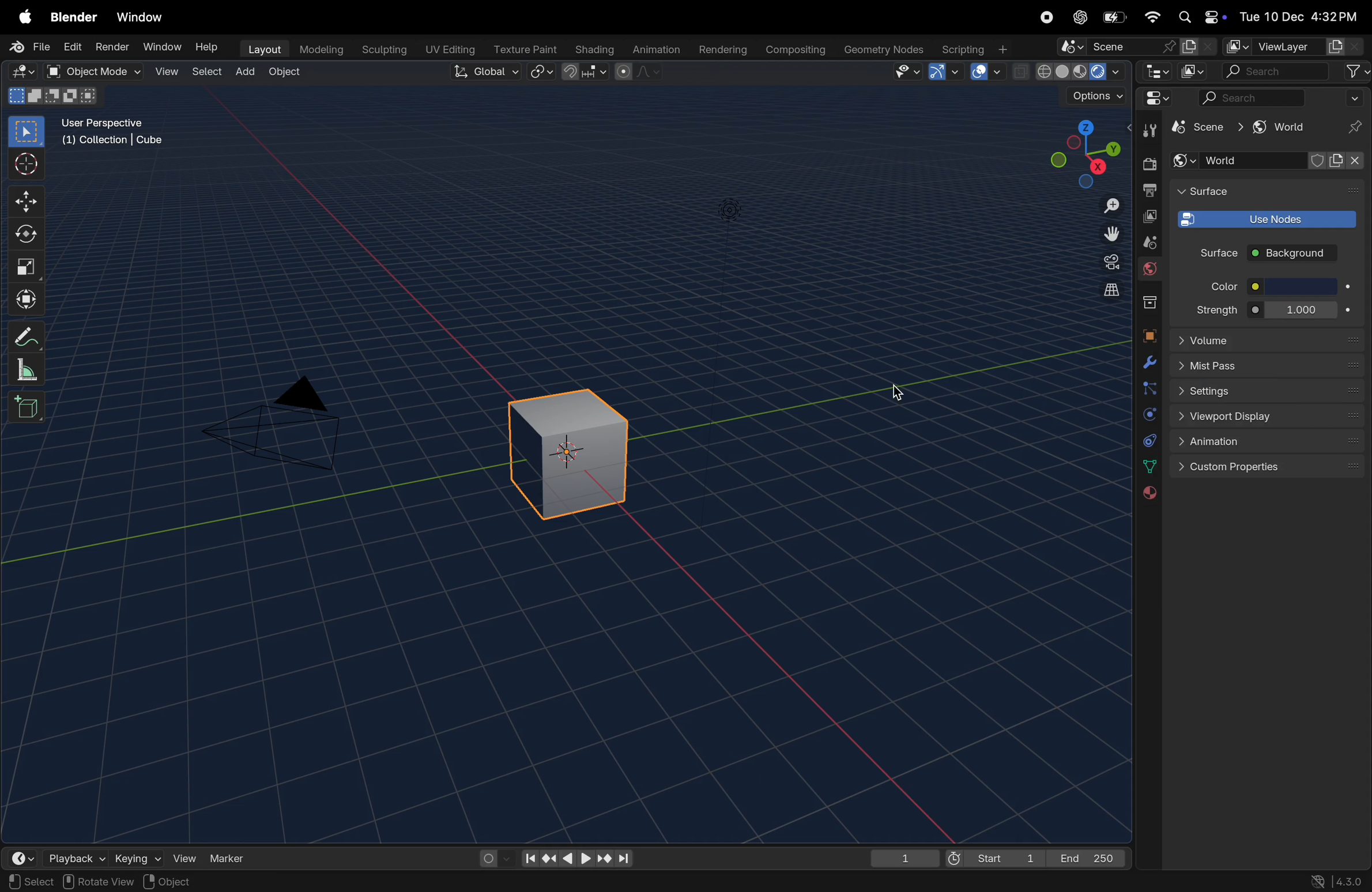 The image size is (1372, 892). I want to click on Visibility, so click(907, 72).